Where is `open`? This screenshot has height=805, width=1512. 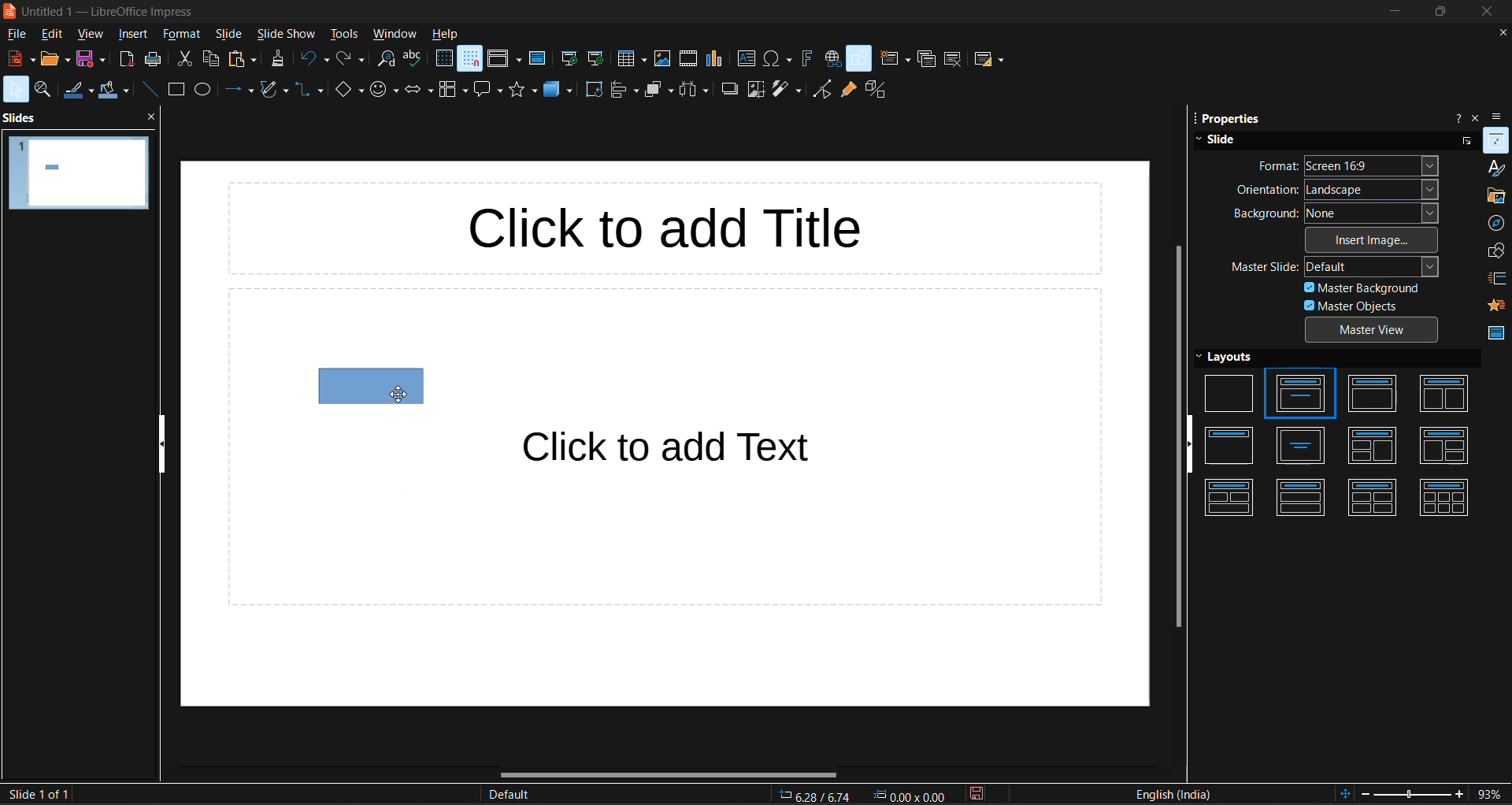 open is located at coordinates (56, 60).